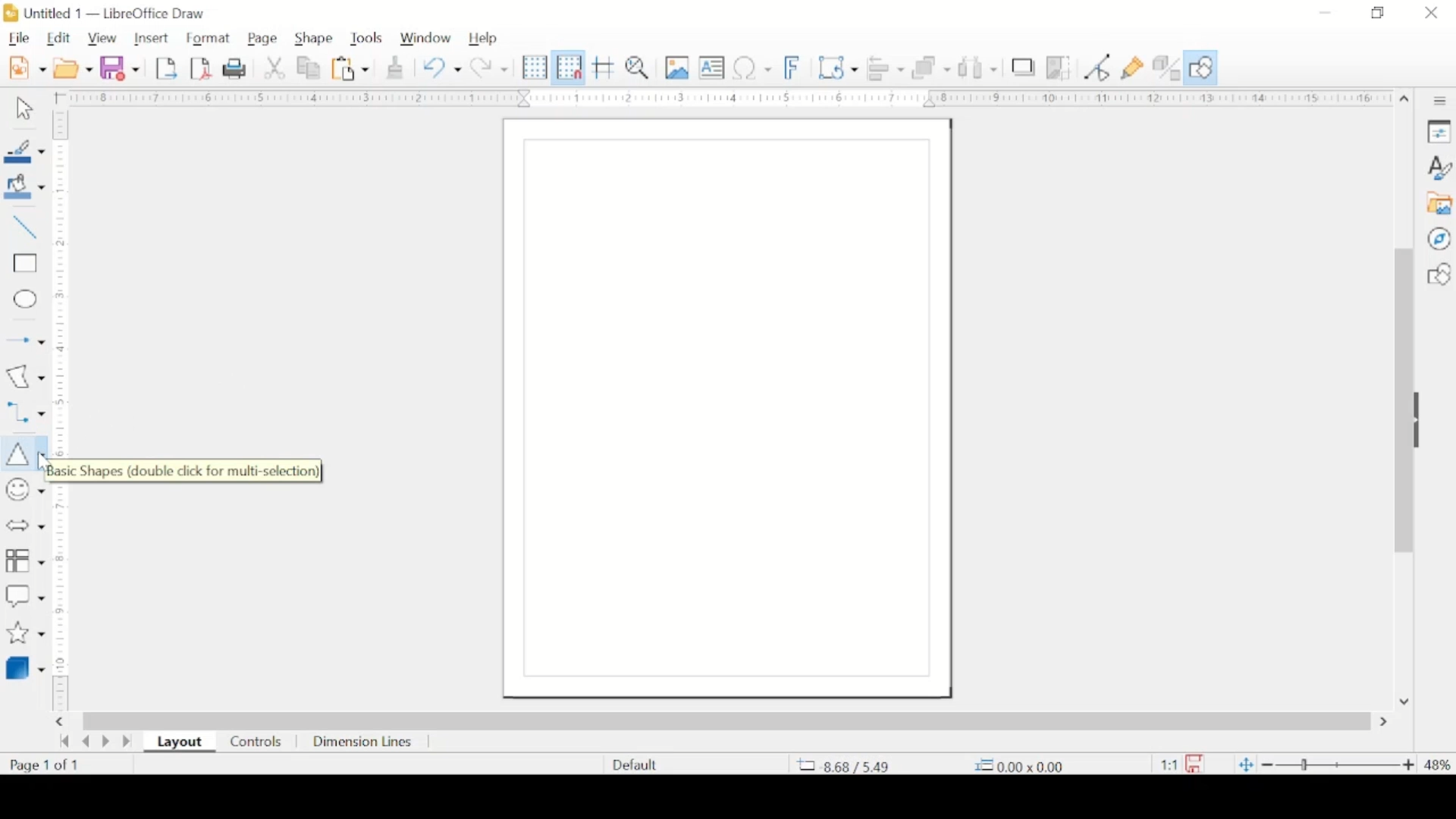 The image size is (1456, 819). I want to click on cut, so click(275, 68).